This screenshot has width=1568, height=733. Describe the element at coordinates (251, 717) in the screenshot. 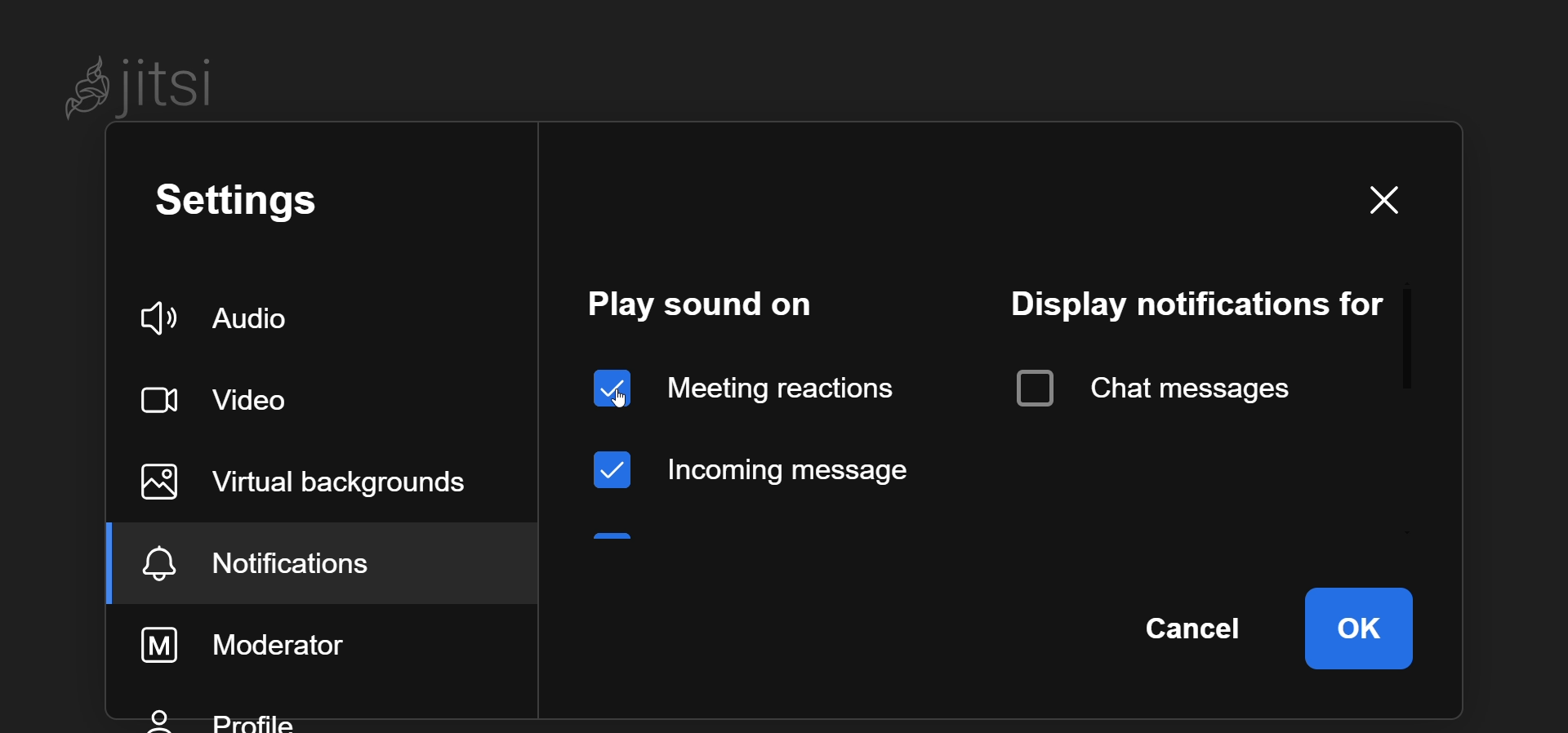

I see `profile` at that location.